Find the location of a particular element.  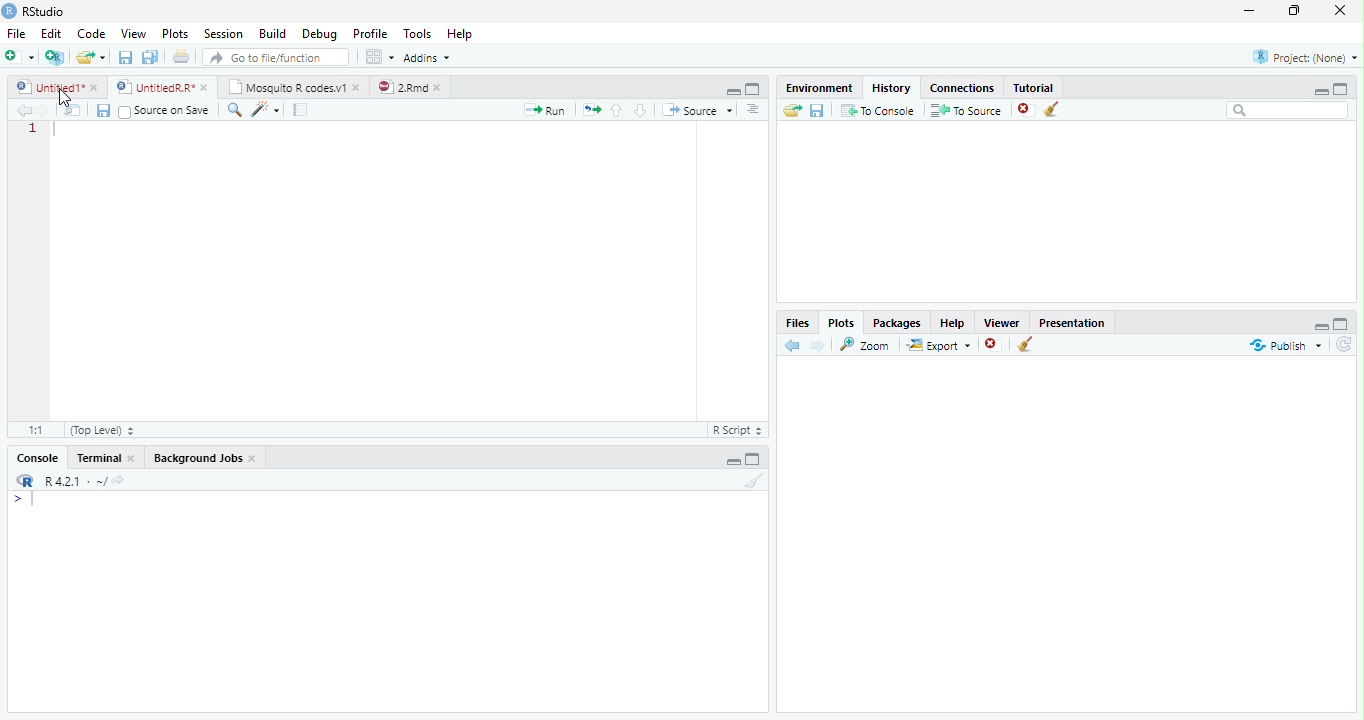

Source is located at coordinates (696, 109).